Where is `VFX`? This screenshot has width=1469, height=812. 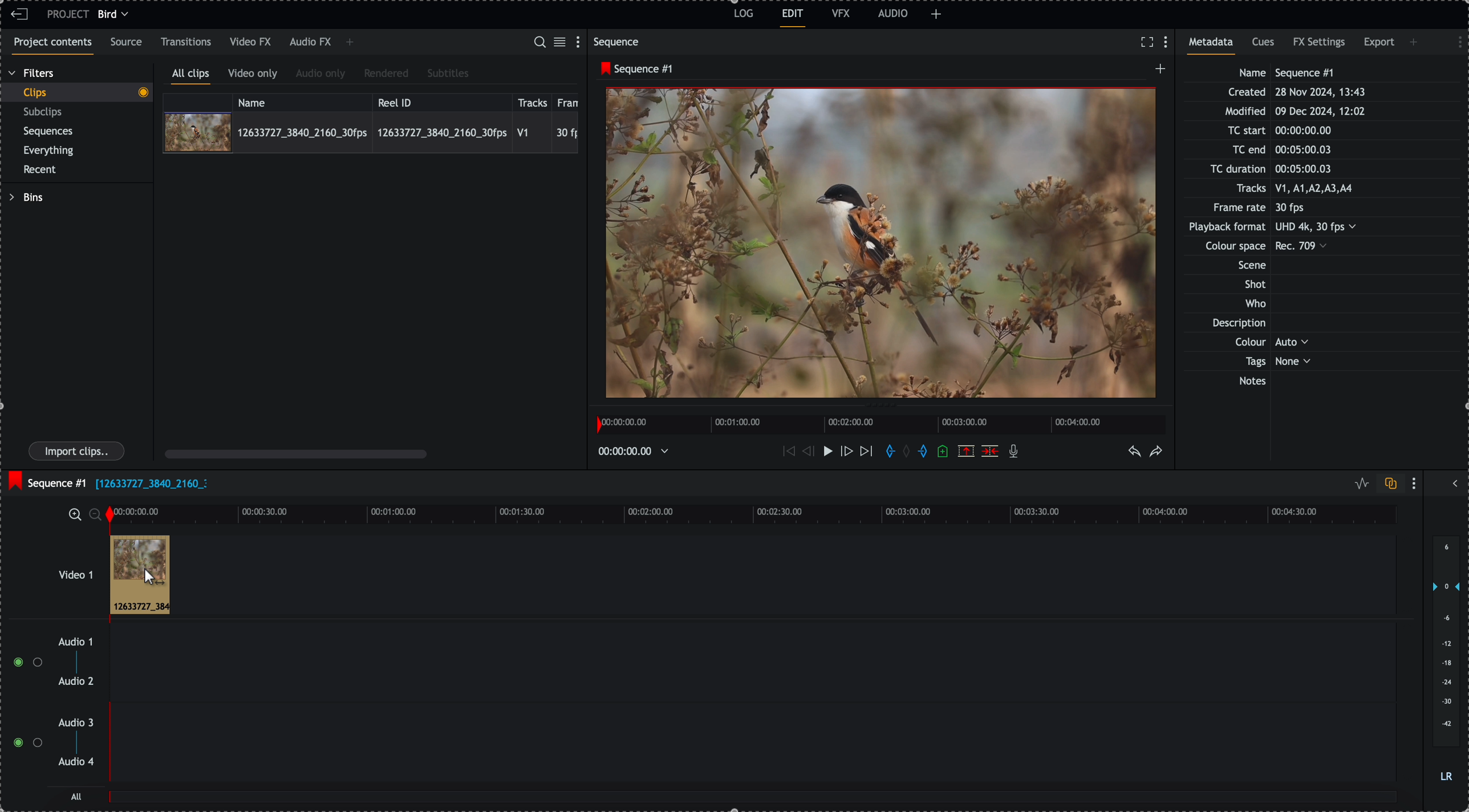 VFX is located at coordinates (841, 13).